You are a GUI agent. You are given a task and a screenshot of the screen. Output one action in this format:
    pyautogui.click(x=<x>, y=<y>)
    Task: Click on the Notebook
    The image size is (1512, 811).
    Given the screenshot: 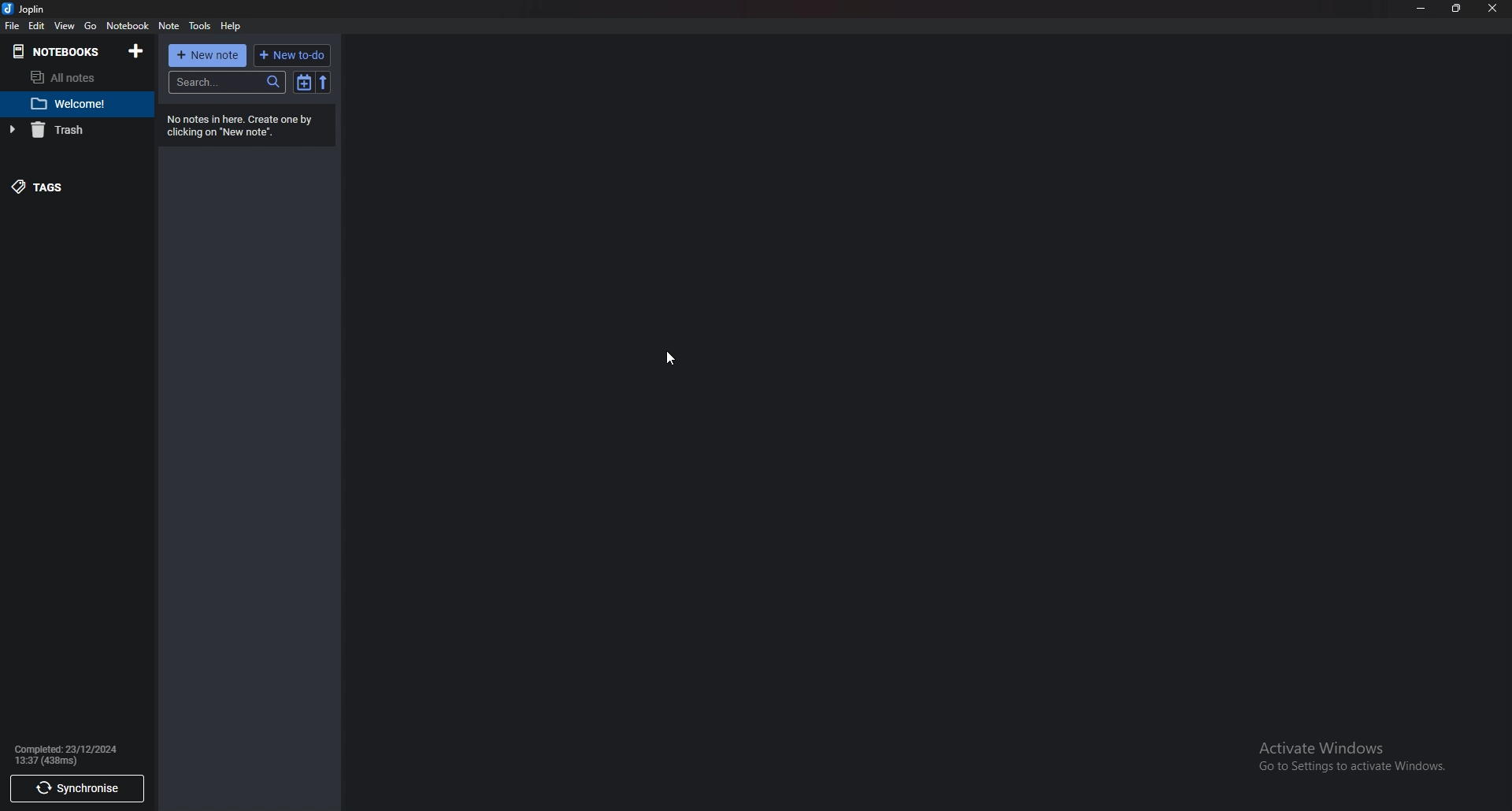 What is the action you would take?
    pyautogui.click(x=128, y=25)
    